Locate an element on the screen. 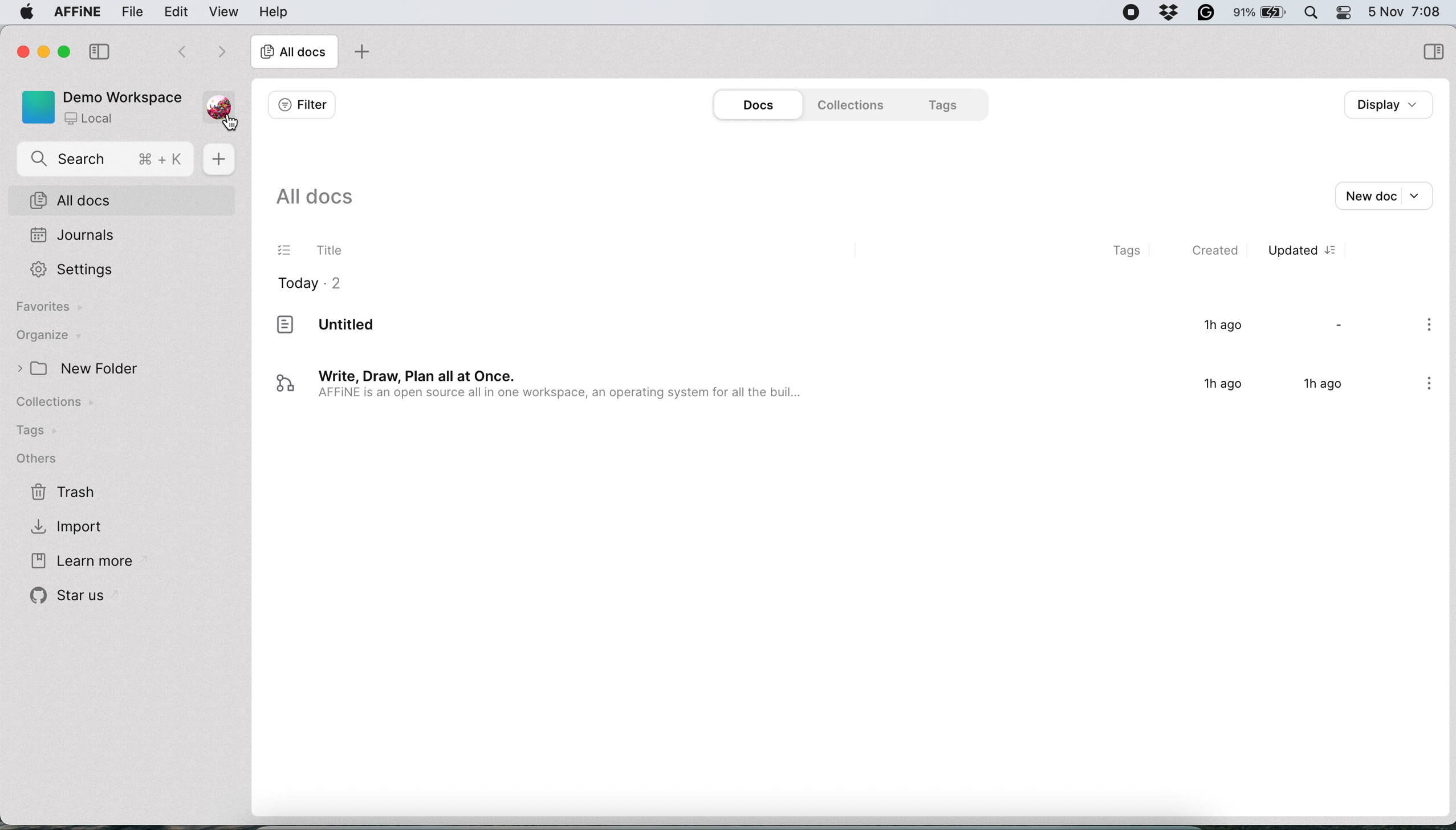 This screenshot has height=830, width=1456. all docs is located at coordinates (294, 53).